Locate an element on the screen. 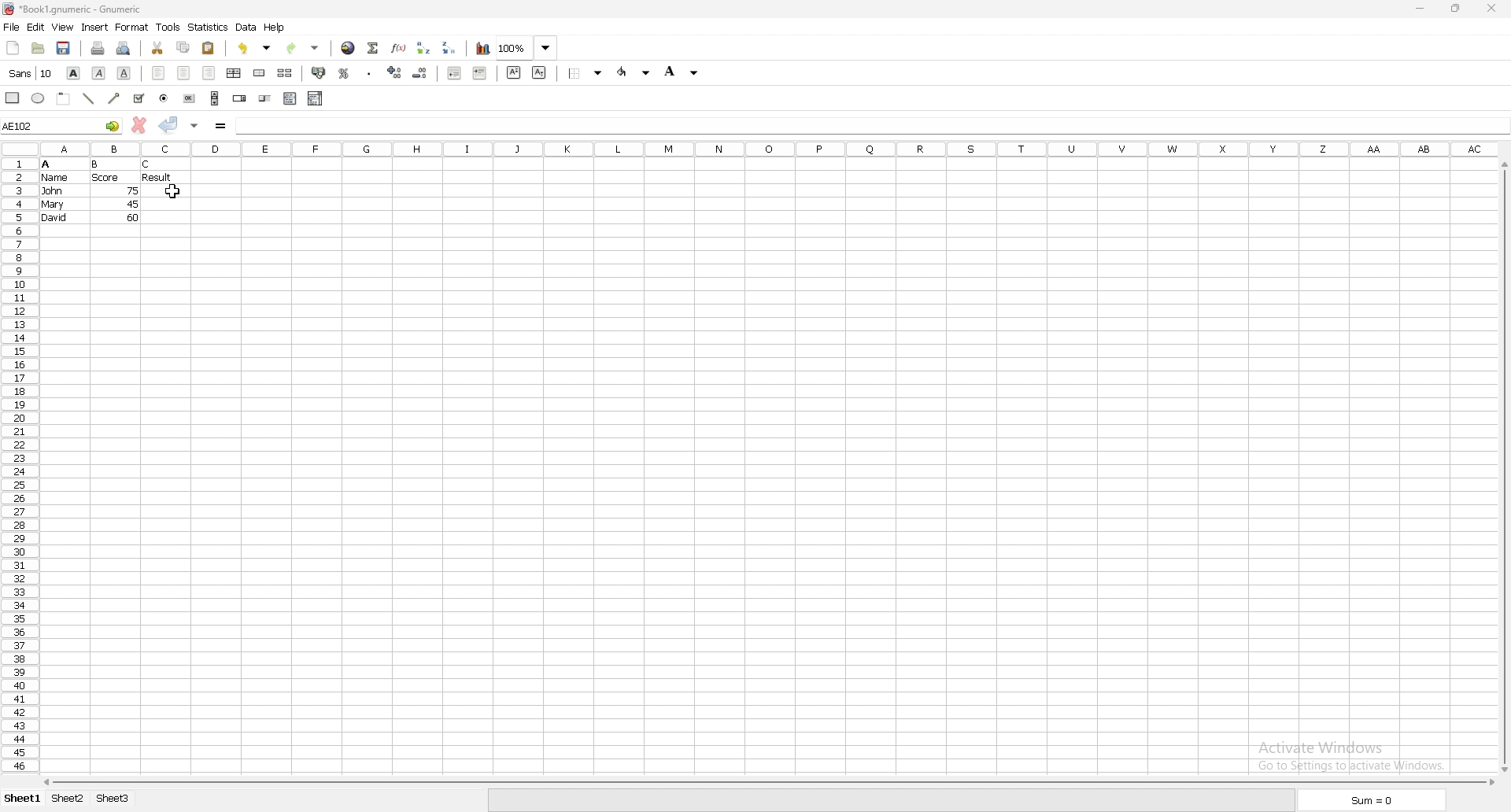  merged cell is located at coordinates (259, 74).